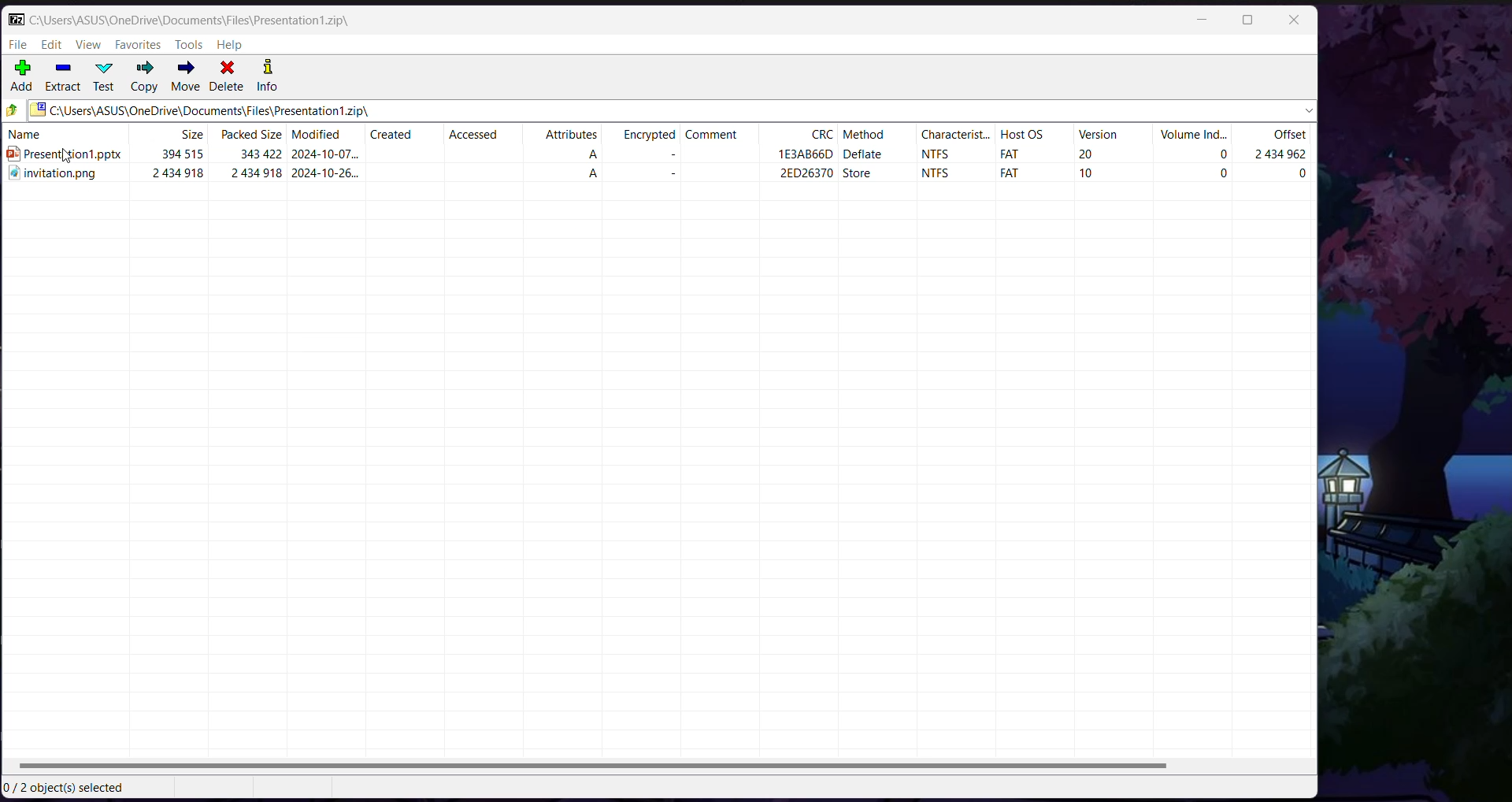 Image resolution: width=1512 pixels, height=802 pixels. Describe the element at coordinates (13, 110) in the screenshot. I see `Move Up one level` at that location.